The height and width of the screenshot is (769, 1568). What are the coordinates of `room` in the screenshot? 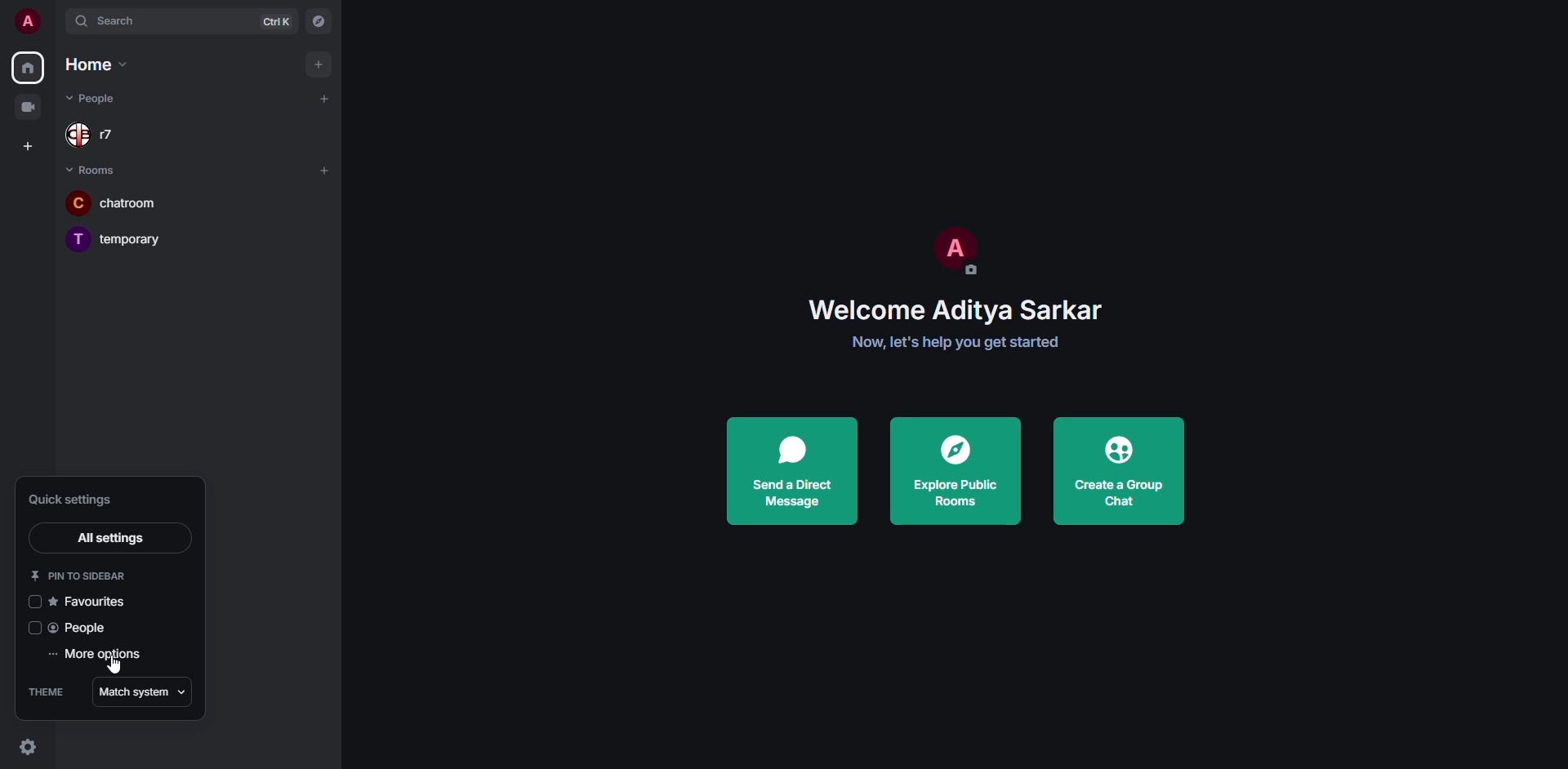 It's located at (94, 171).